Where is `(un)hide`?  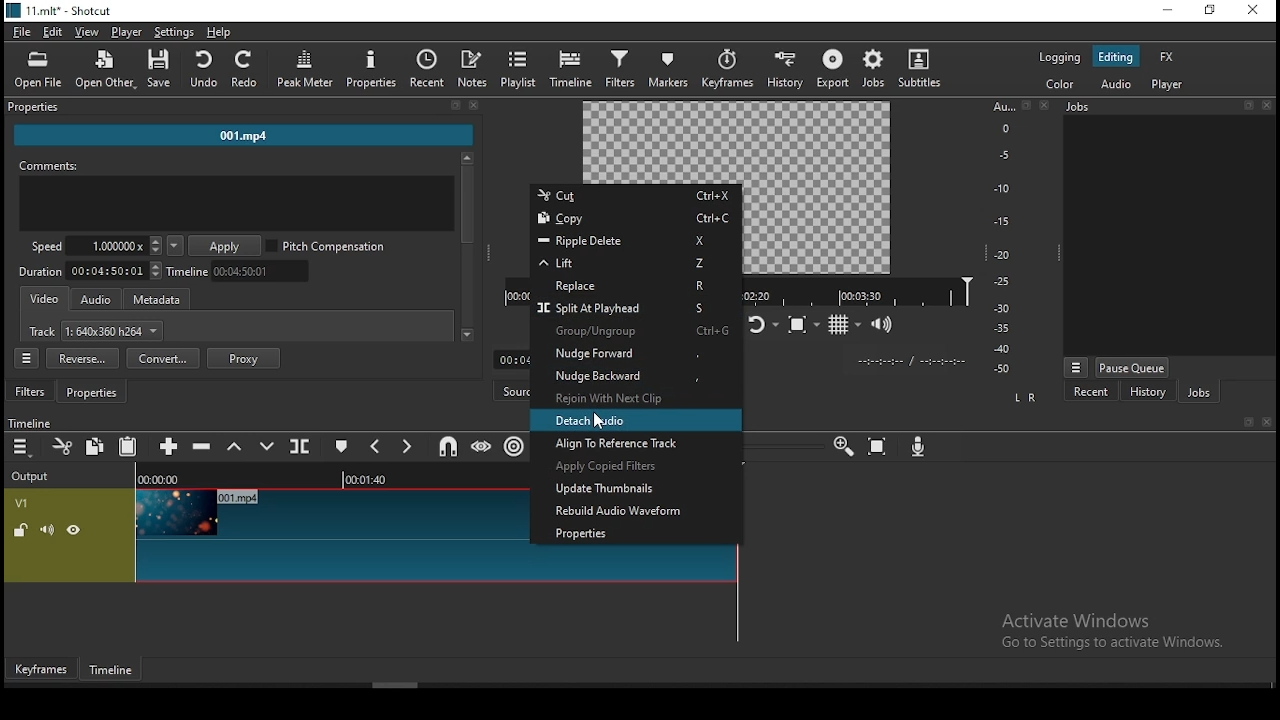 (un)hide is located at coordinates (77, 530).